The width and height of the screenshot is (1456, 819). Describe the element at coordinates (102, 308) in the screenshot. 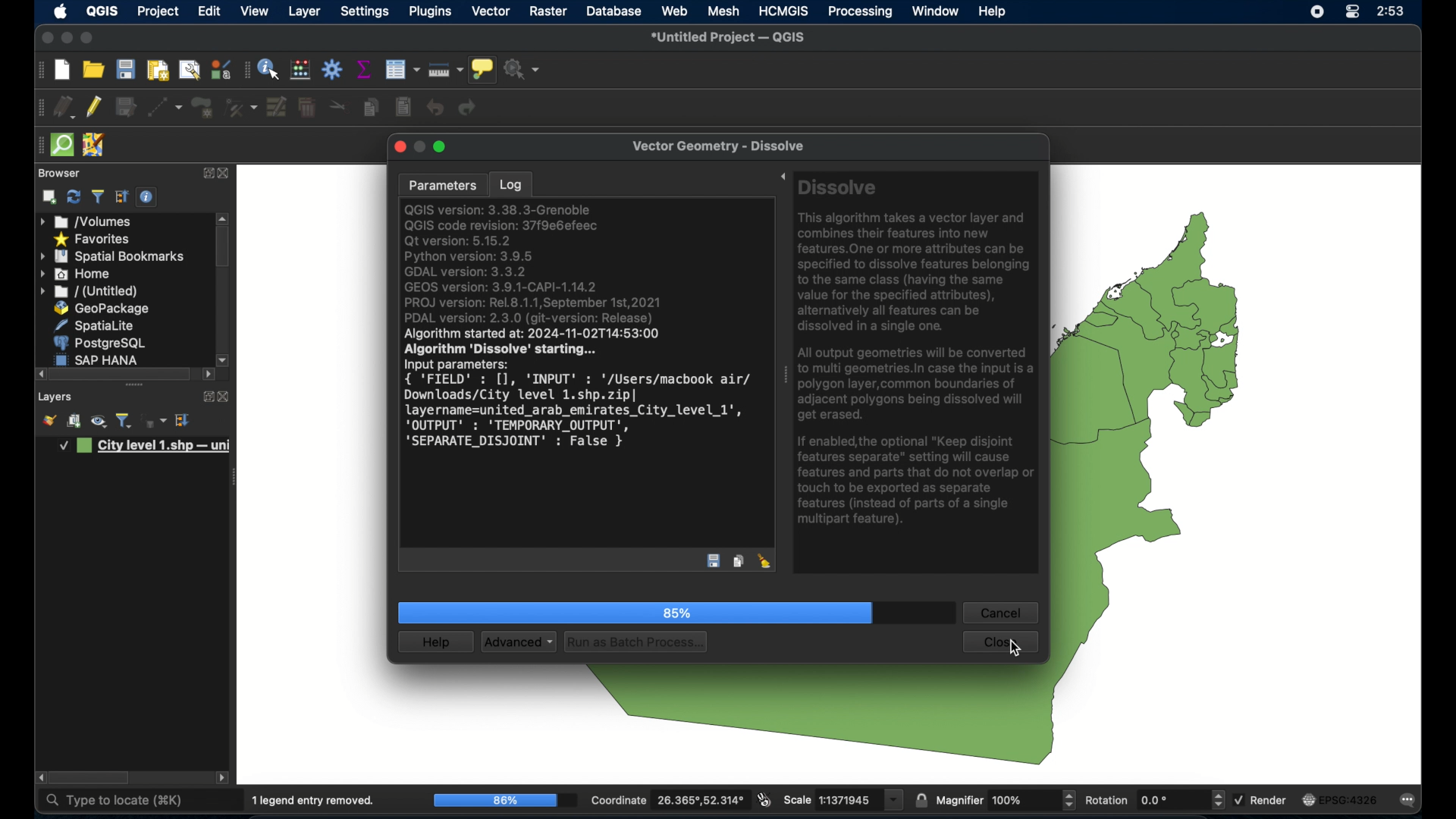

I see `geopackage` at that location.